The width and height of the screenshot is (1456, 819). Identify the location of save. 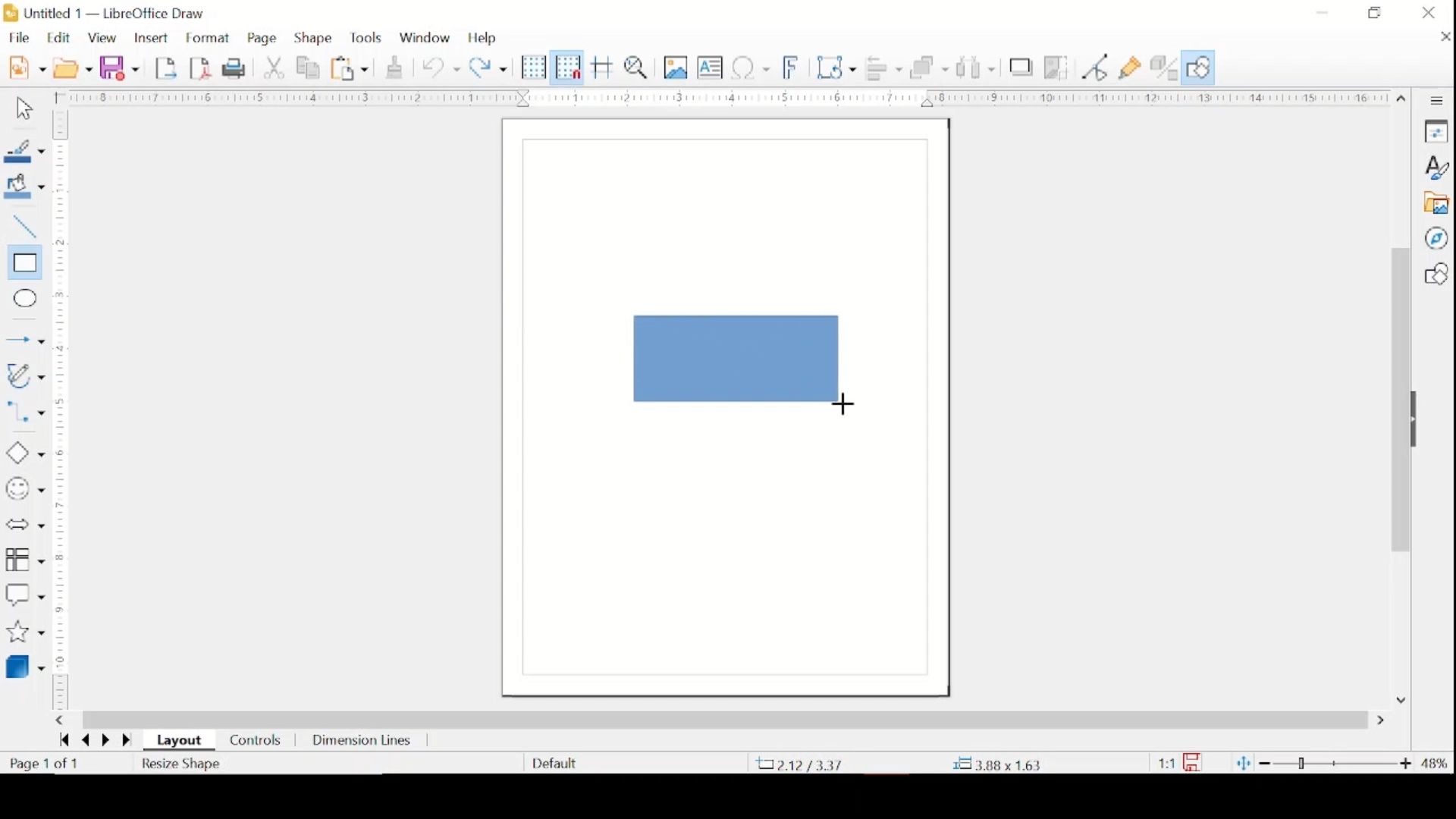
(119, 67).